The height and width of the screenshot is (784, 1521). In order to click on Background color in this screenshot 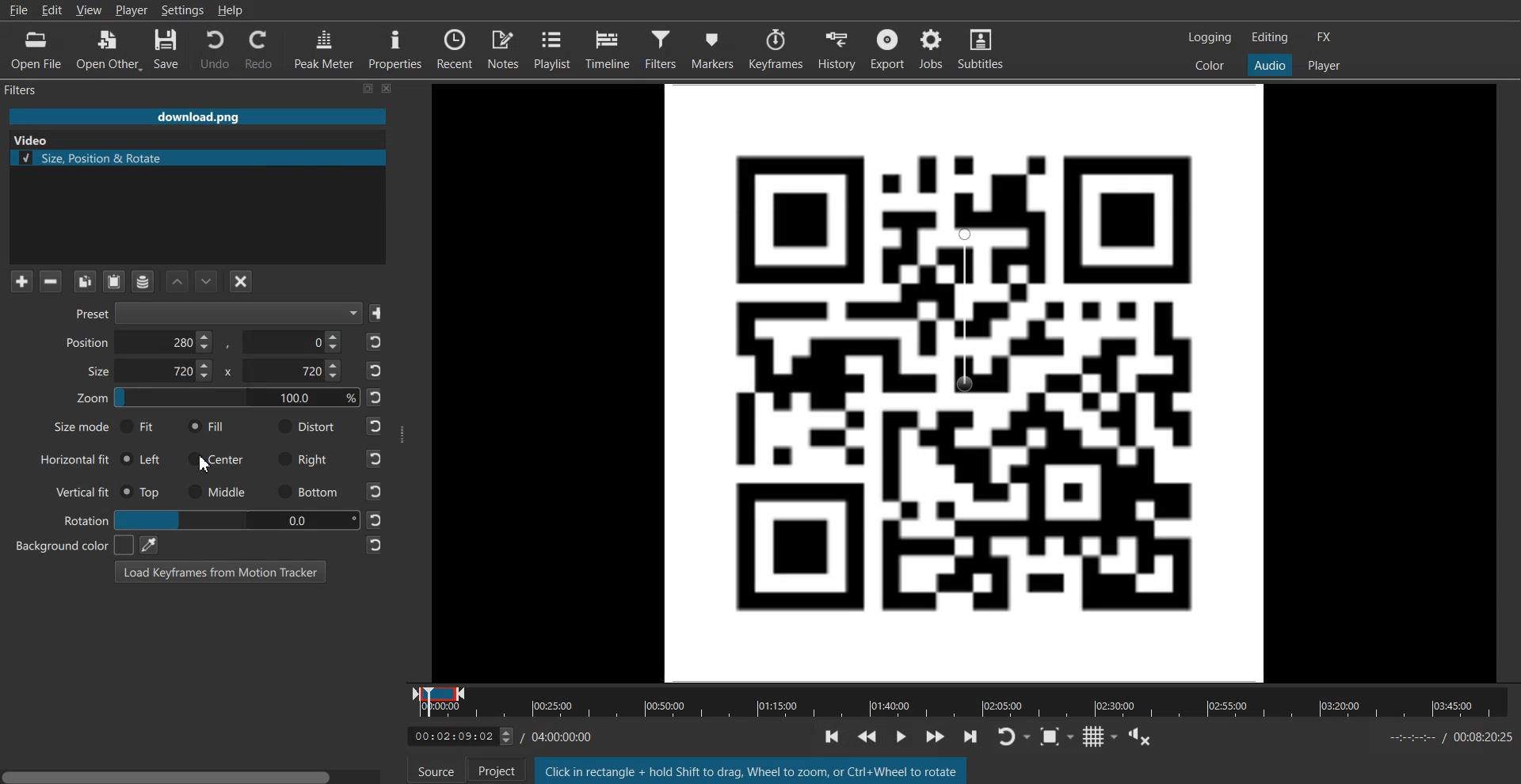, I will do `click(66, 545)`.